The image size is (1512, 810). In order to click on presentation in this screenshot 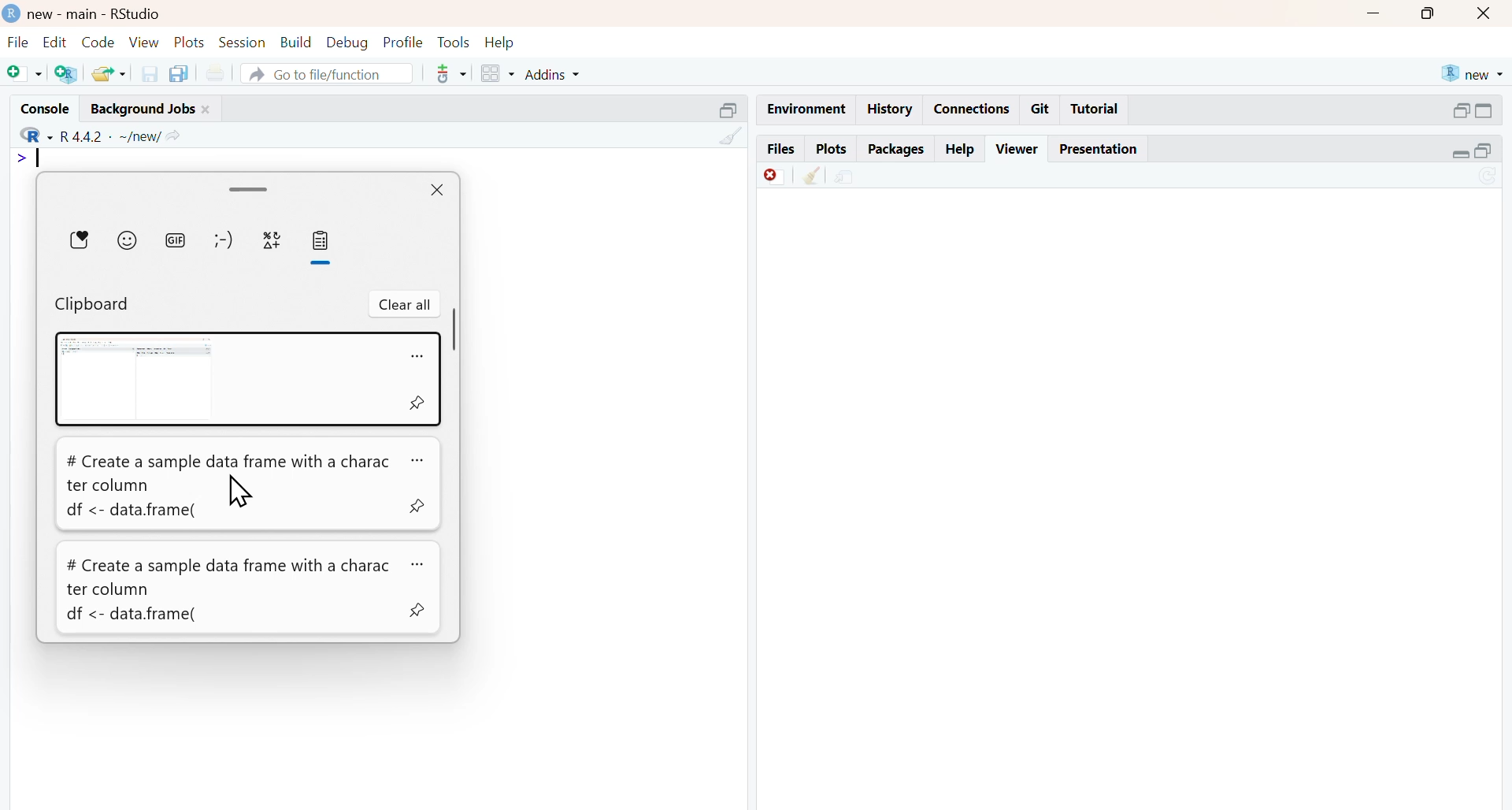, I will do `click(1096, 149)`.